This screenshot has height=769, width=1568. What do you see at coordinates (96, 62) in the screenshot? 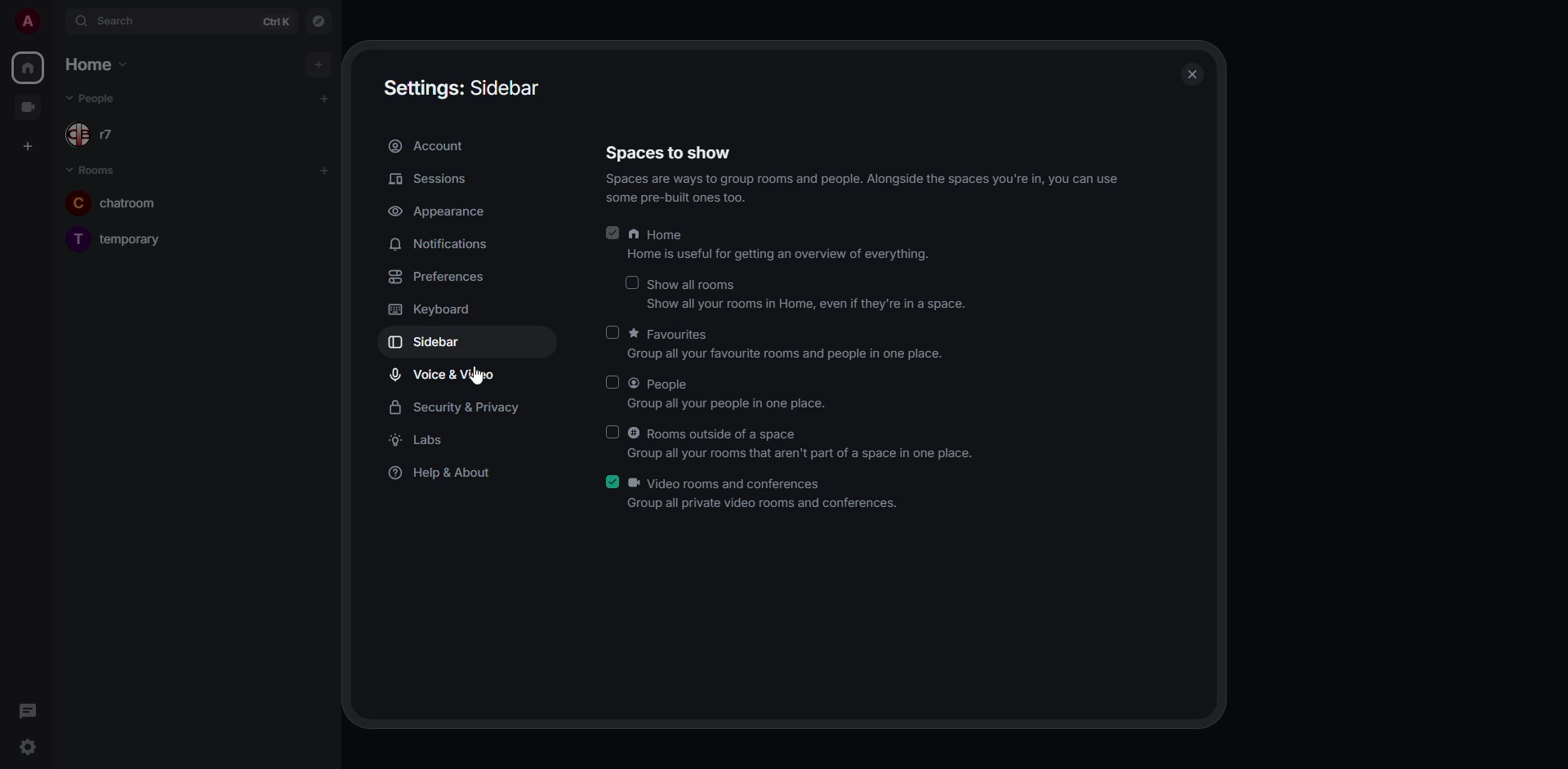
I see `home` at bounding box center [96, 62].